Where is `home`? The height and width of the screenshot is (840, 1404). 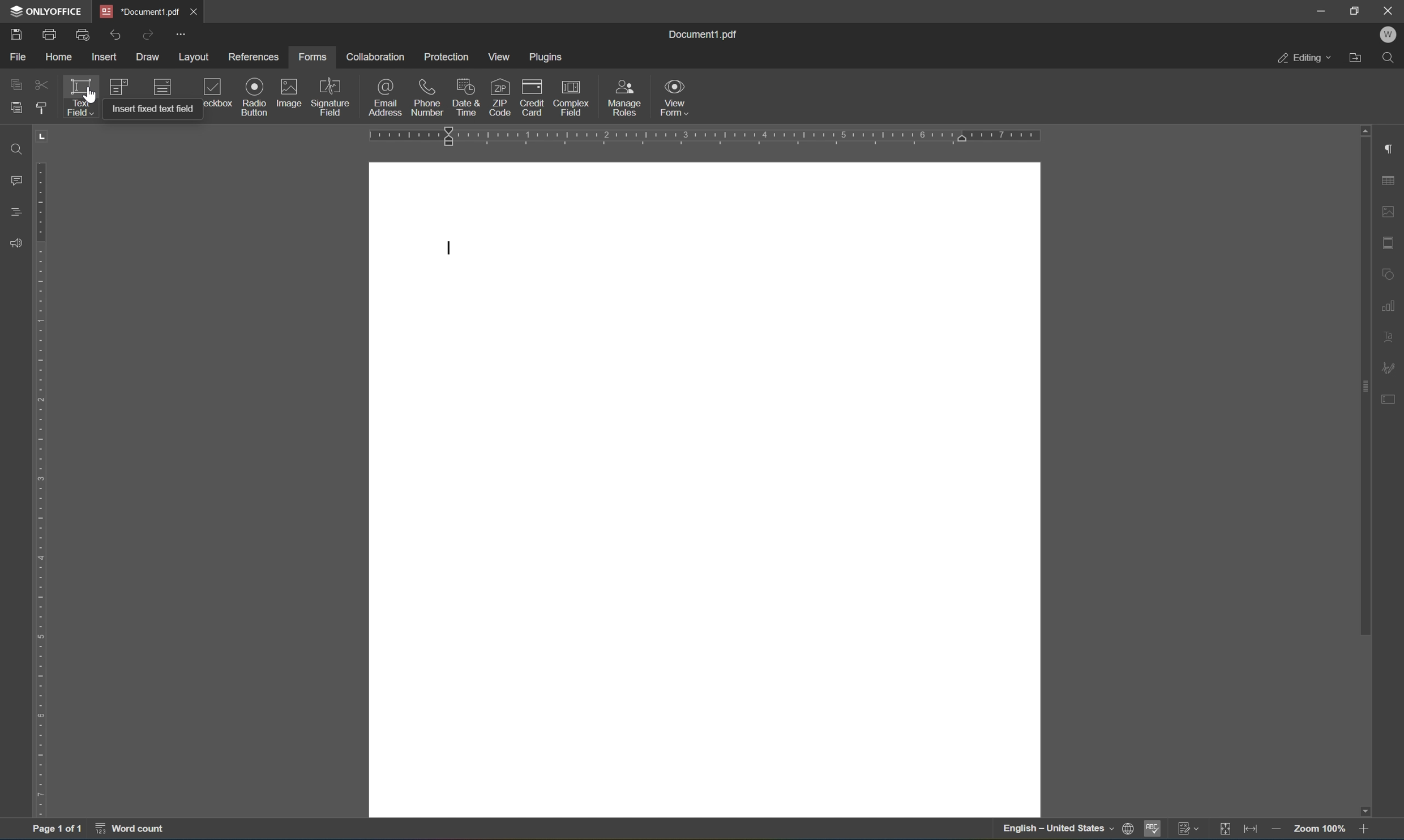 home is located at coordinates (60, 55).